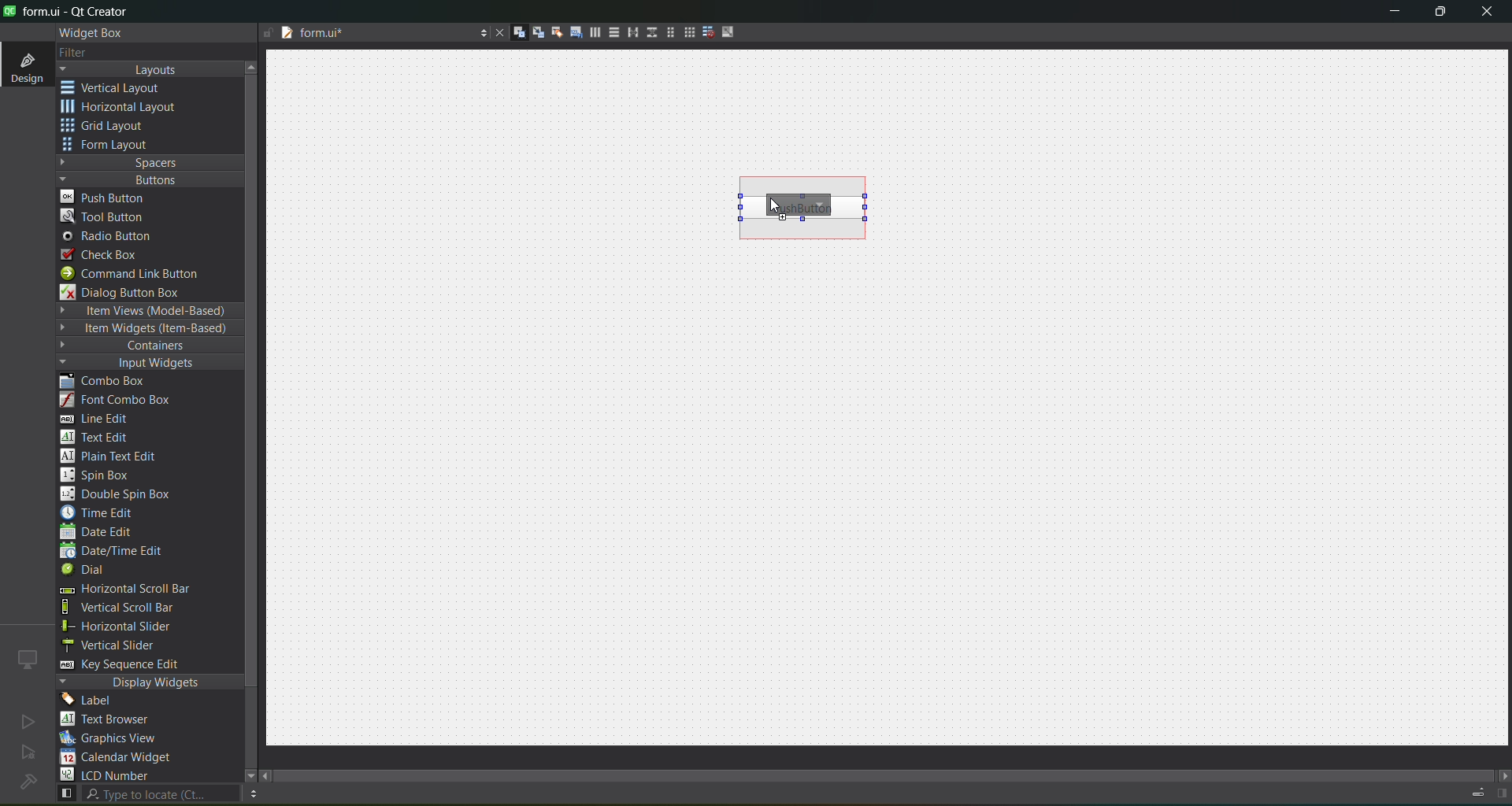 This screenshot has width=1512, height=806. What do you see at coordinates (142, 346) in the screenshot?
I see `containers` at bounding box center [142, 346].